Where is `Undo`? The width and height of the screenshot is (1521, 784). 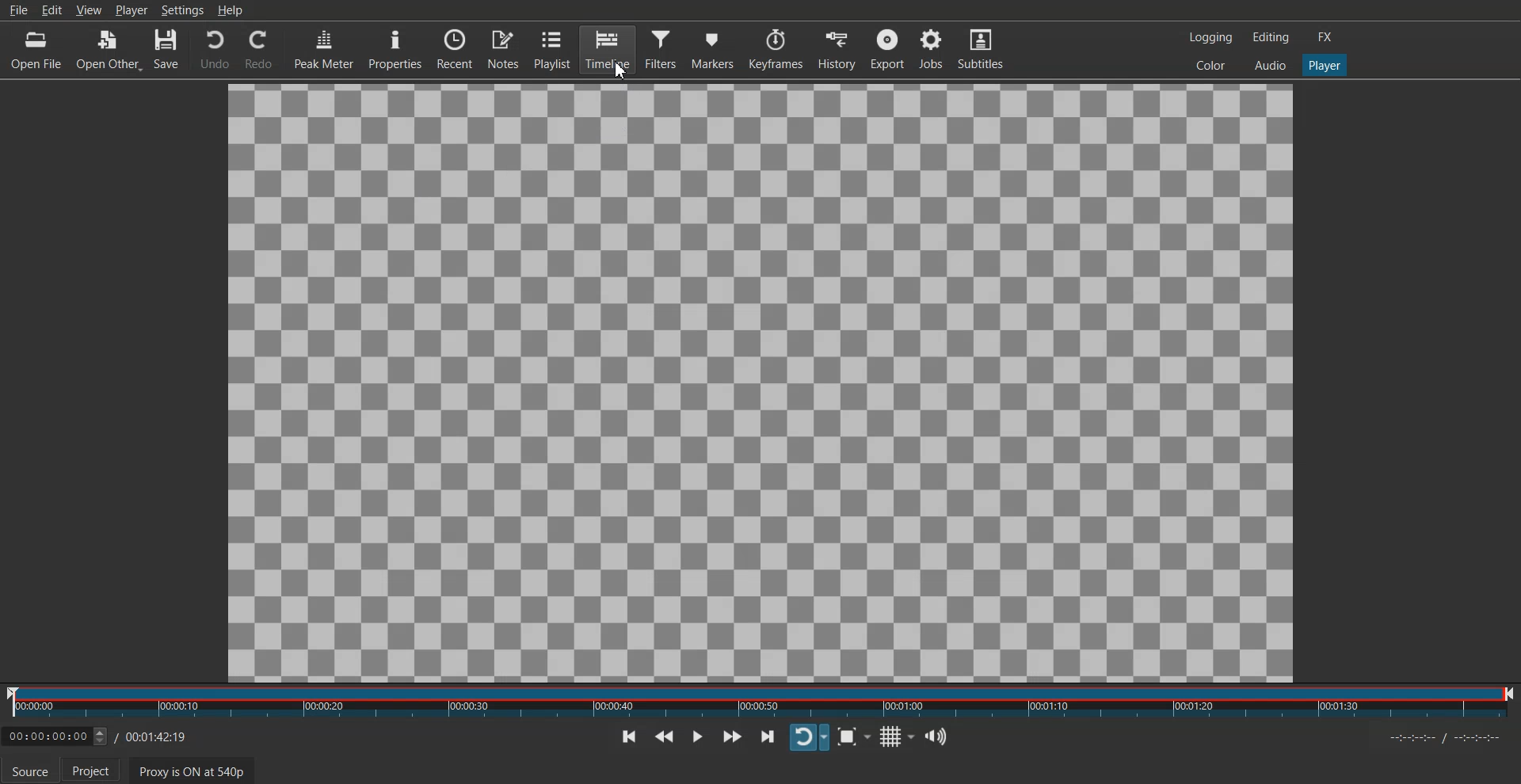 Undo is located at coordinates (215, 50).